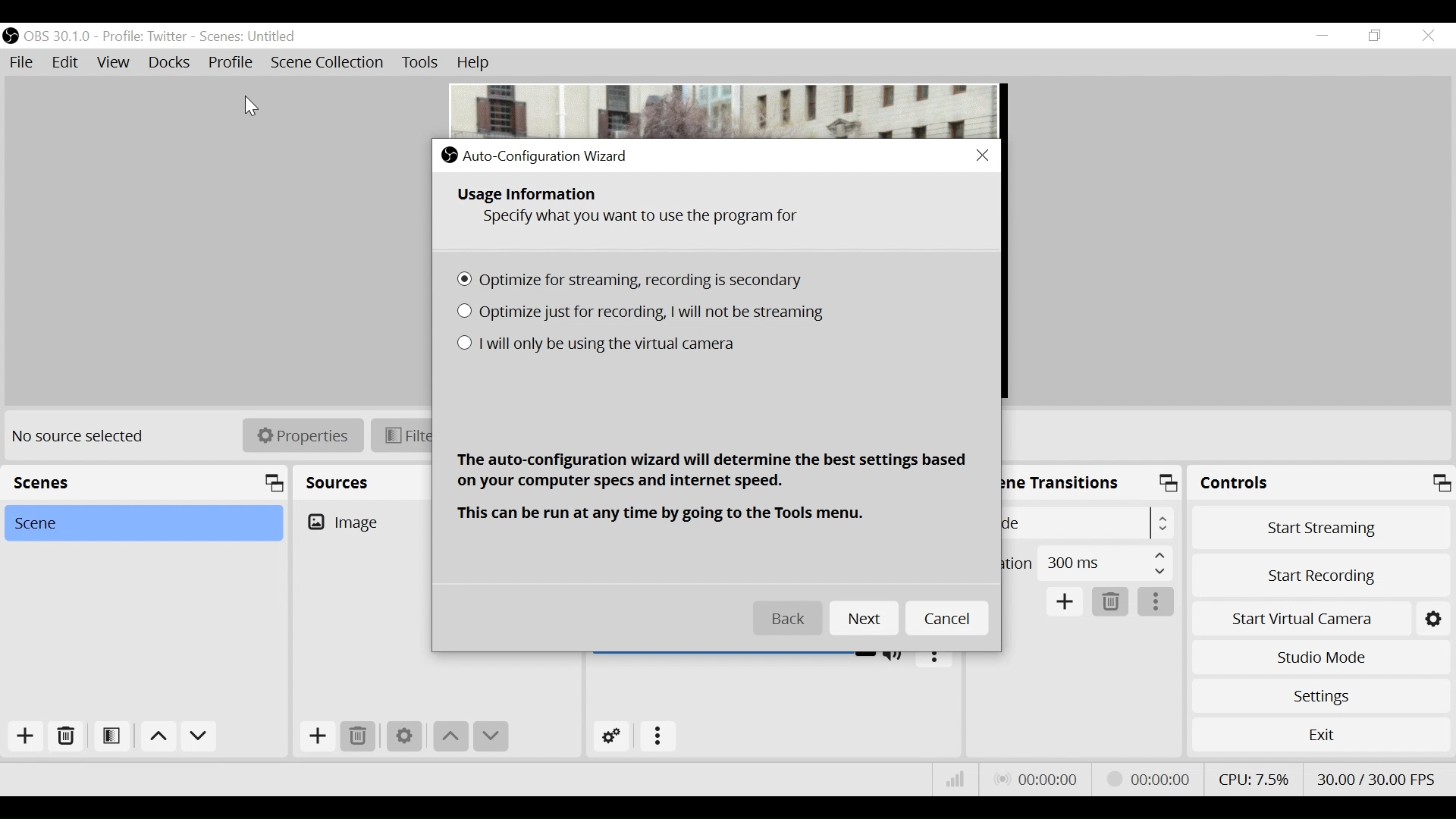 The width and height of the screenshot is (1456, 819). Describe the element at coordinates (955, 781) in the screenshot. I see `Bitrate` at that location.